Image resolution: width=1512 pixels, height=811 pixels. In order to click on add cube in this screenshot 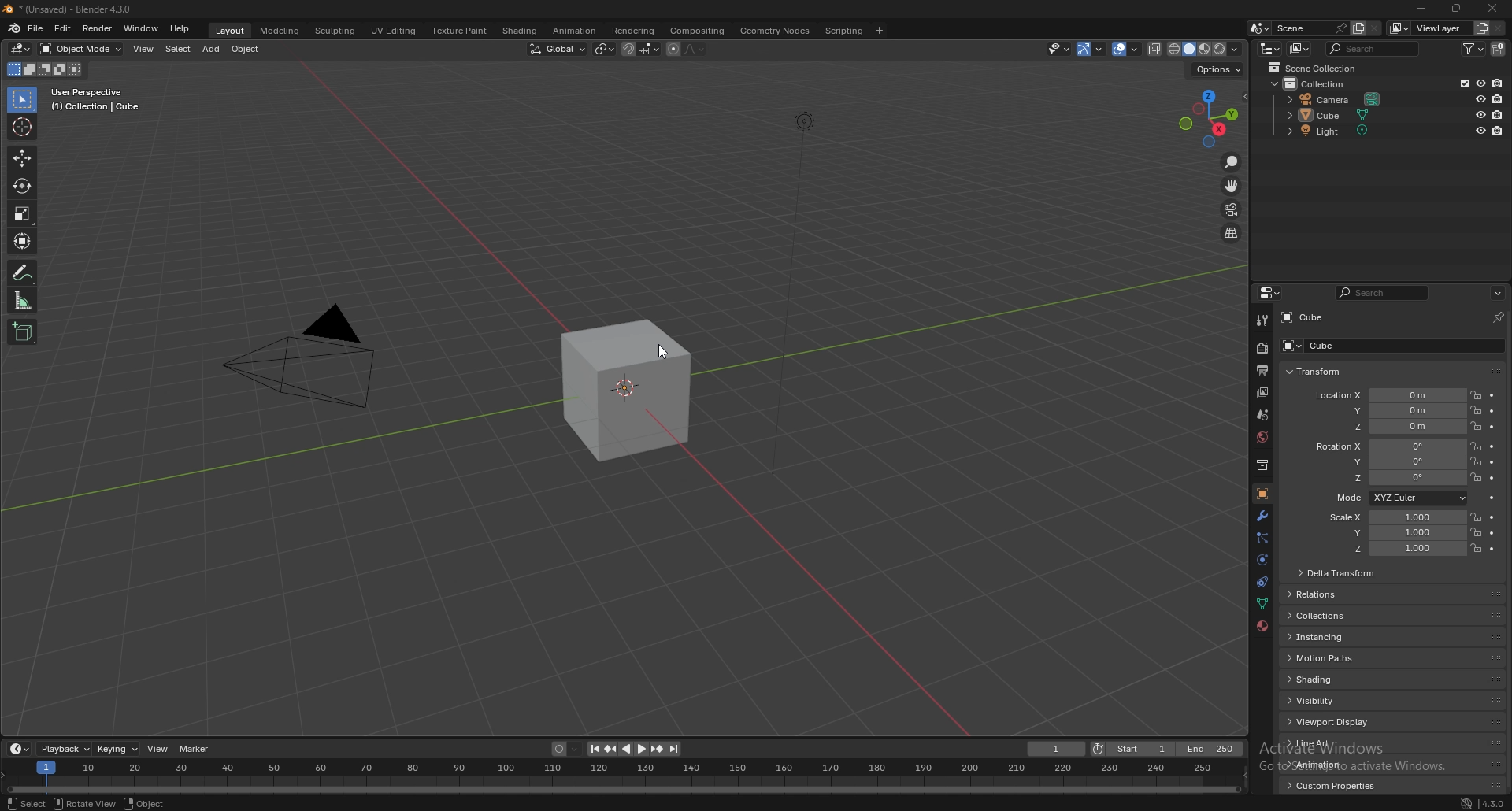, I will do `click(21, 332)`.